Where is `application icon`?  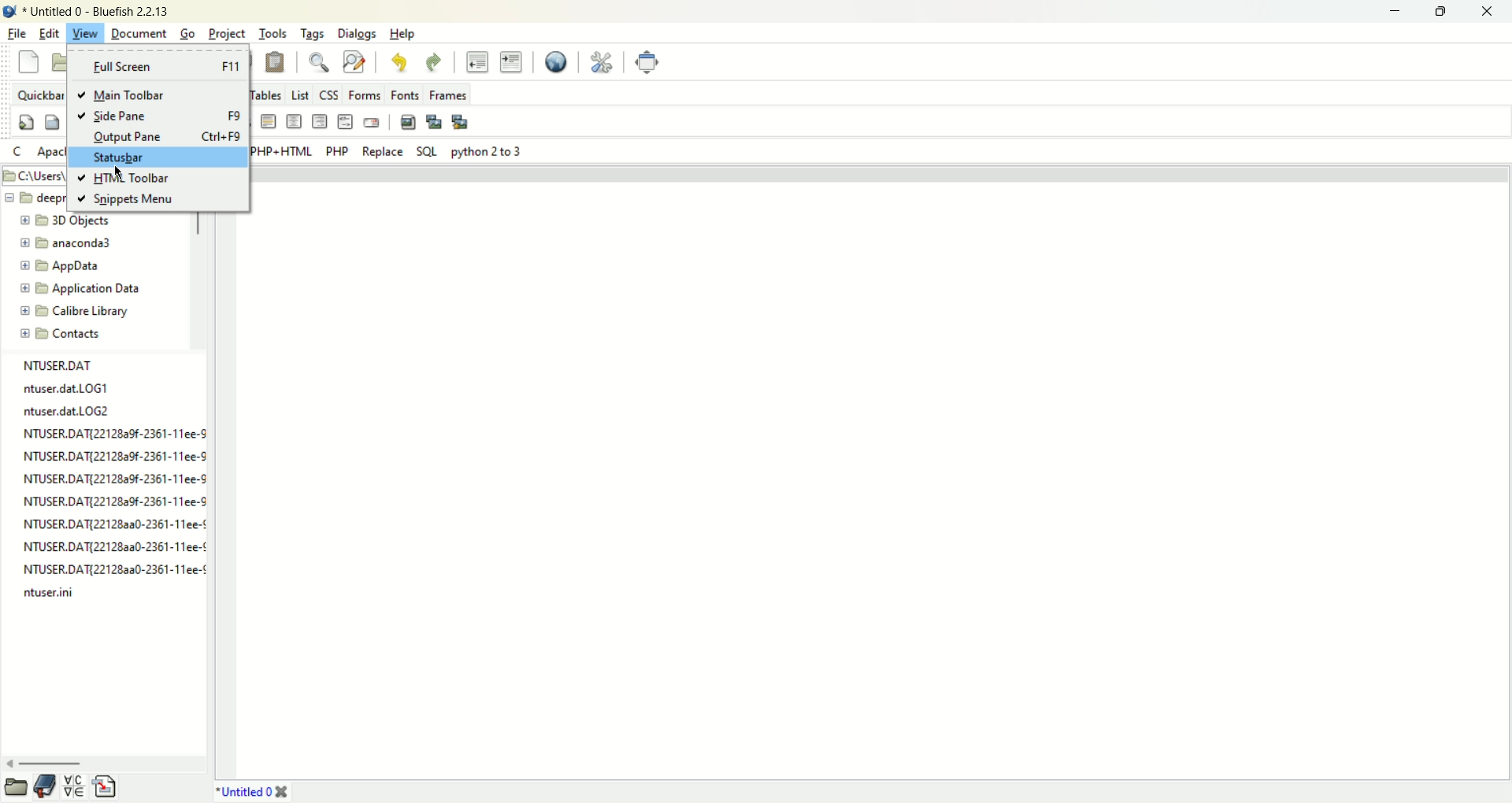 application icon is located at coordinates (13, 12).